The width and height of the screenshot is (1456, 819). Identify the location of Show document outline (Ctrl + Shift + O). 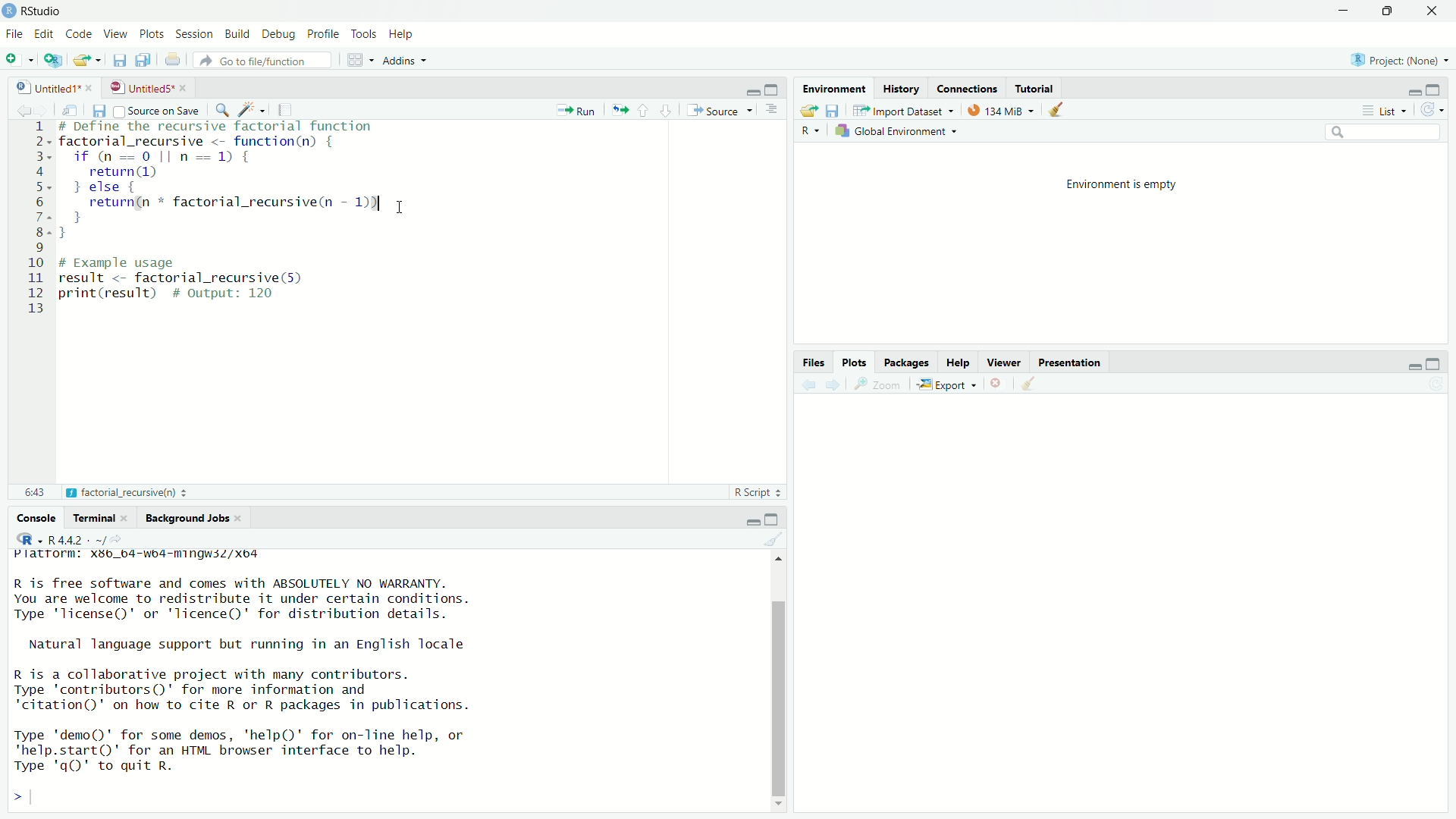
(774, 111).